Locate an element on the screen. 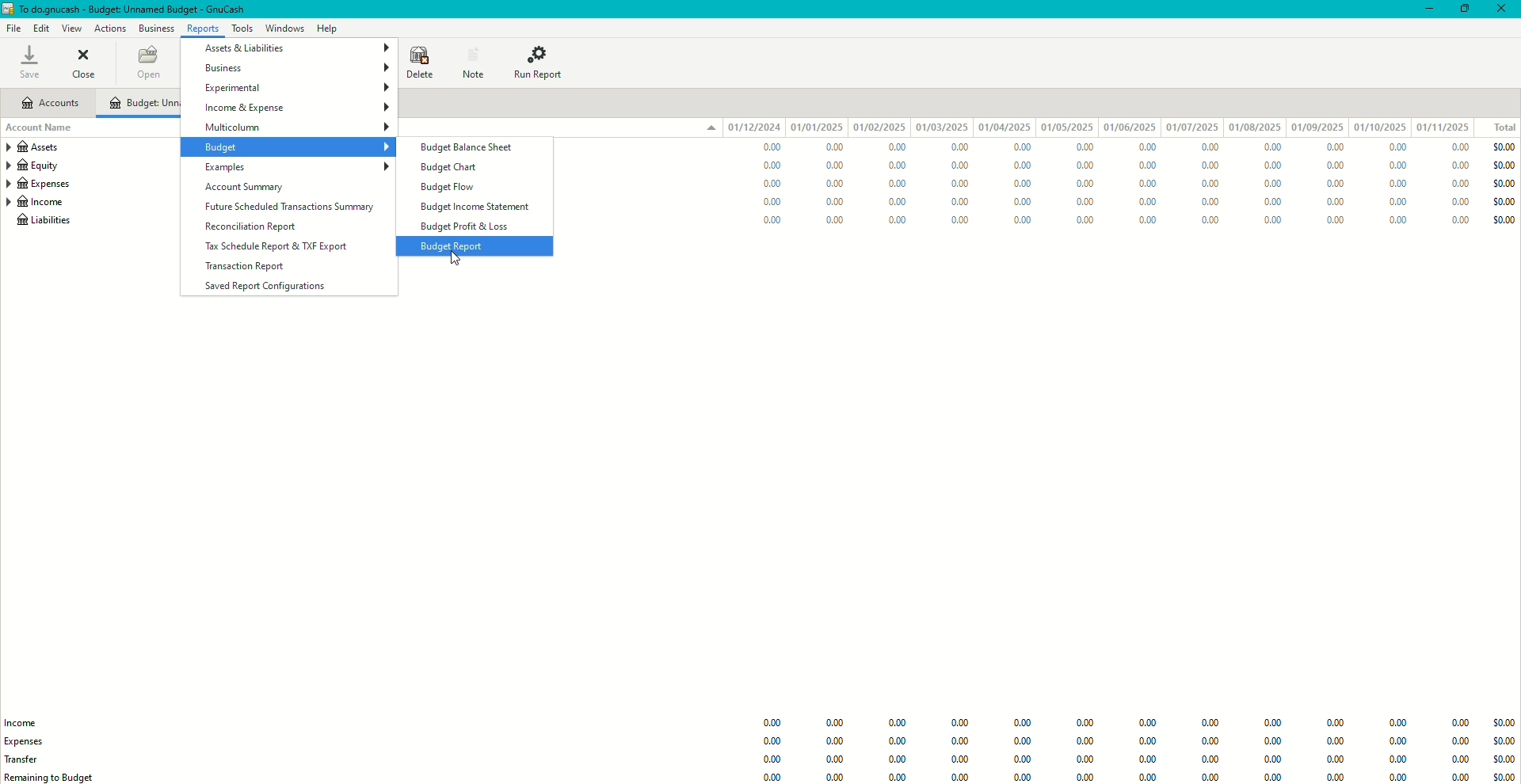  0.00 is located at coordinates (1149, 725).